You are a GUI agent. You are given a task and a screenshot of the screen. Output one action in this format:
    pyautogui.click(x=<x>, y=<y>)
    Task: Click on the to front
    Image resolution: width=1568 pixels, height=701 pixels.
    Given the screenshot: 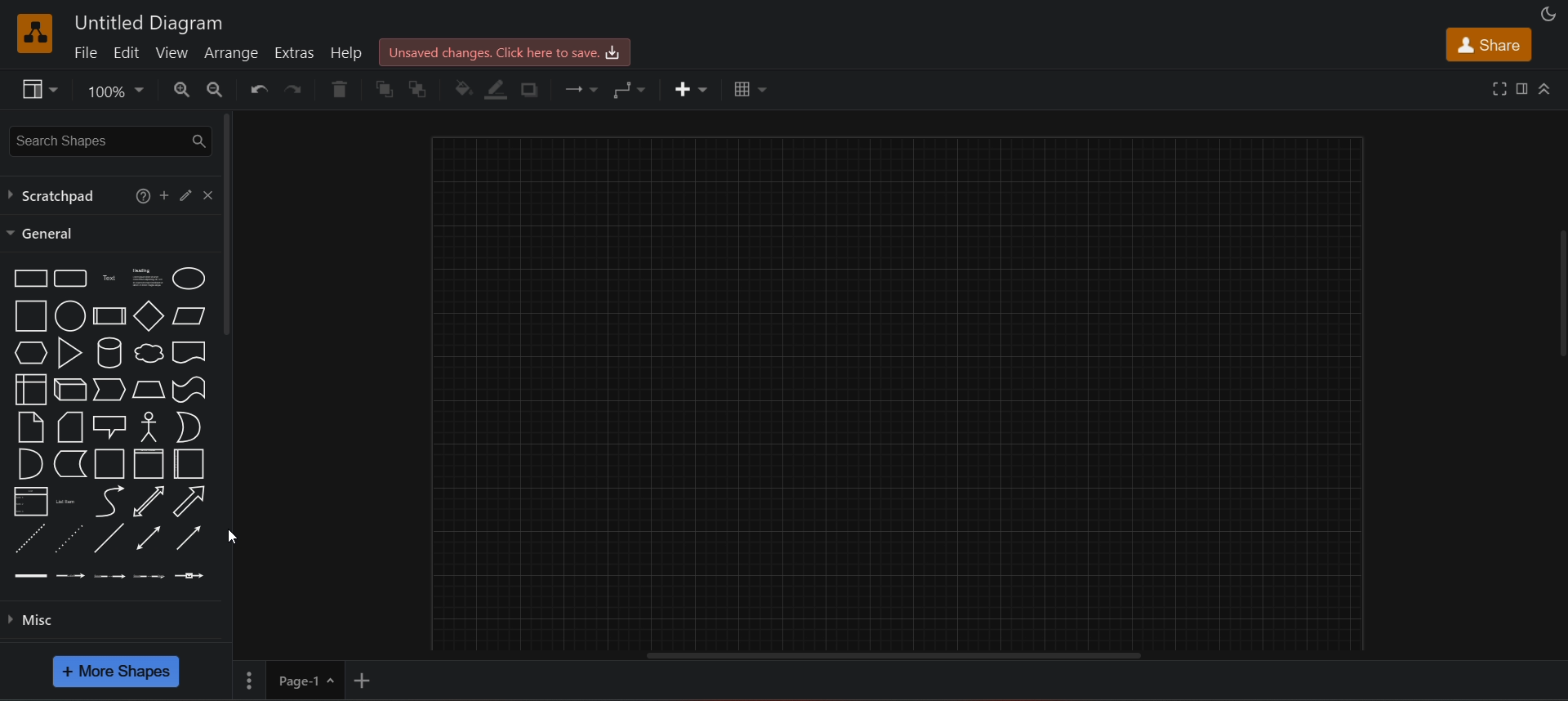 What is the action you would take?
    pyautogui.click(x=382, y=89)
    